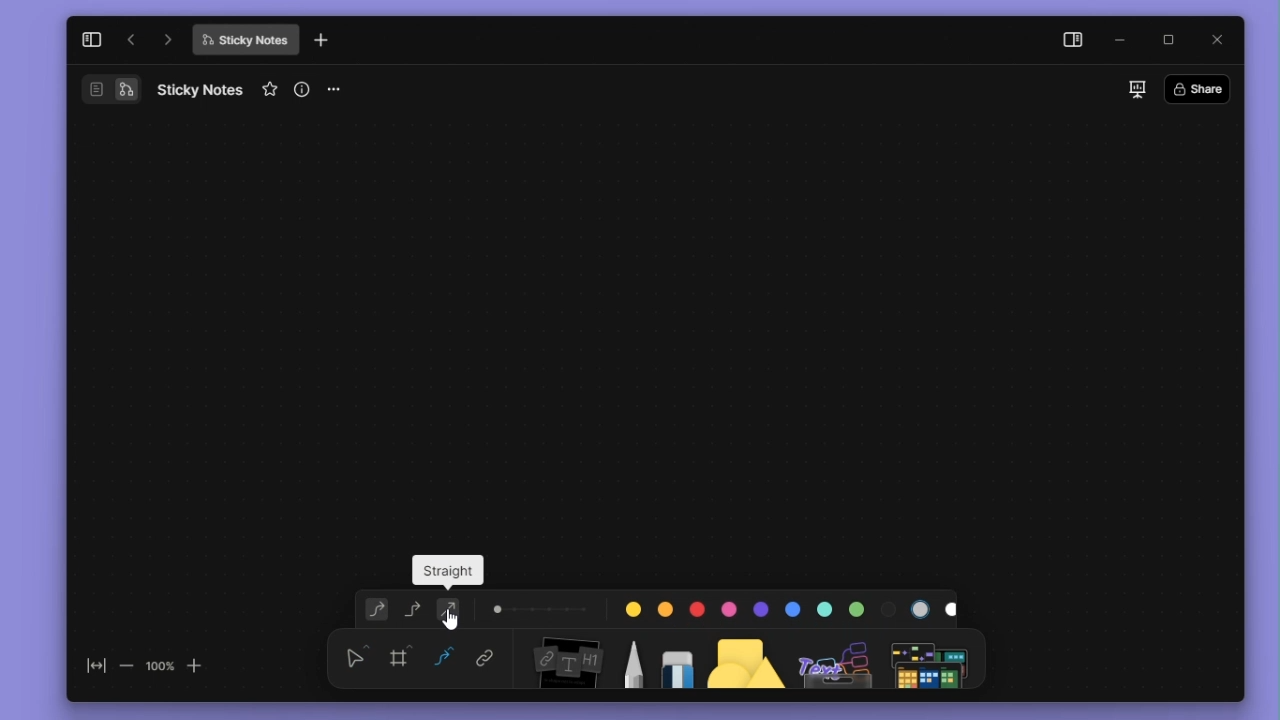 This screenshot has height=720, width=1280. I want to click on color pallete, so click(785, 605).